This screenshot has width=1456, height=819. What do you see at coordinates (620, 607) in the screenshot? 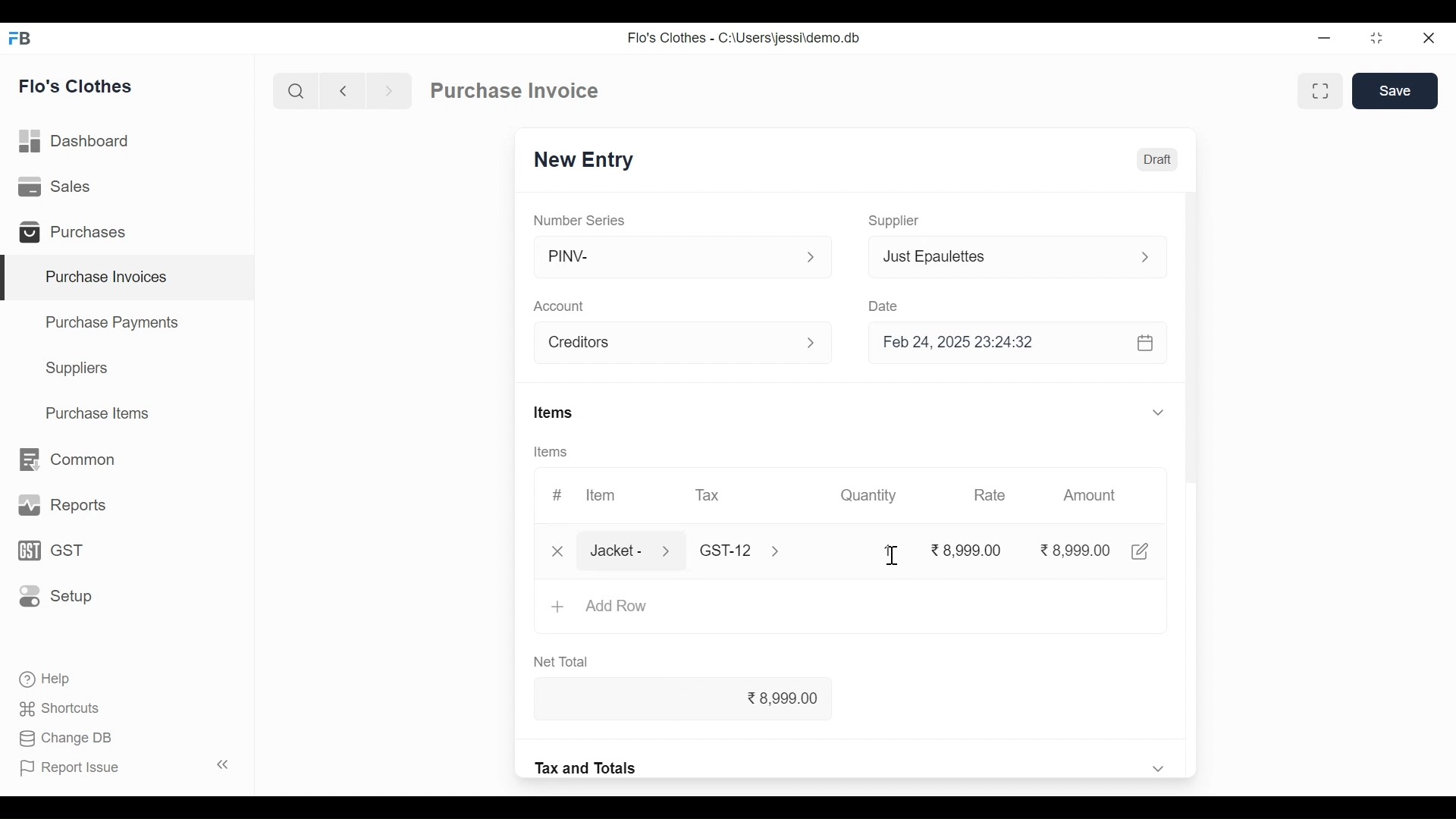
I see `Add Row` at bounding box center [620, 607].